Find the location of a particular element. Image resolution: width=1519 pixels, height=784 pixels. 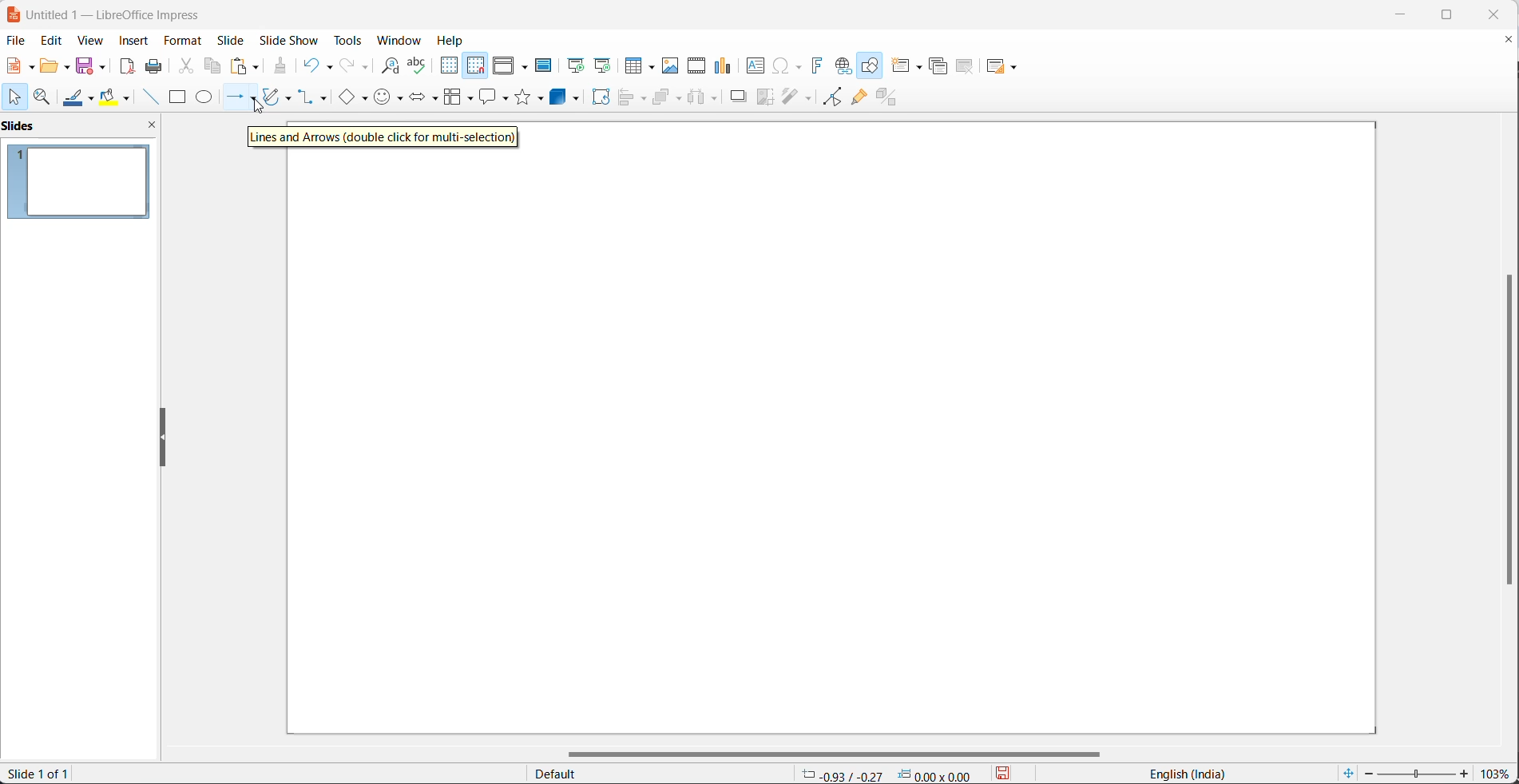

Help is located at coordinates (452, 41).